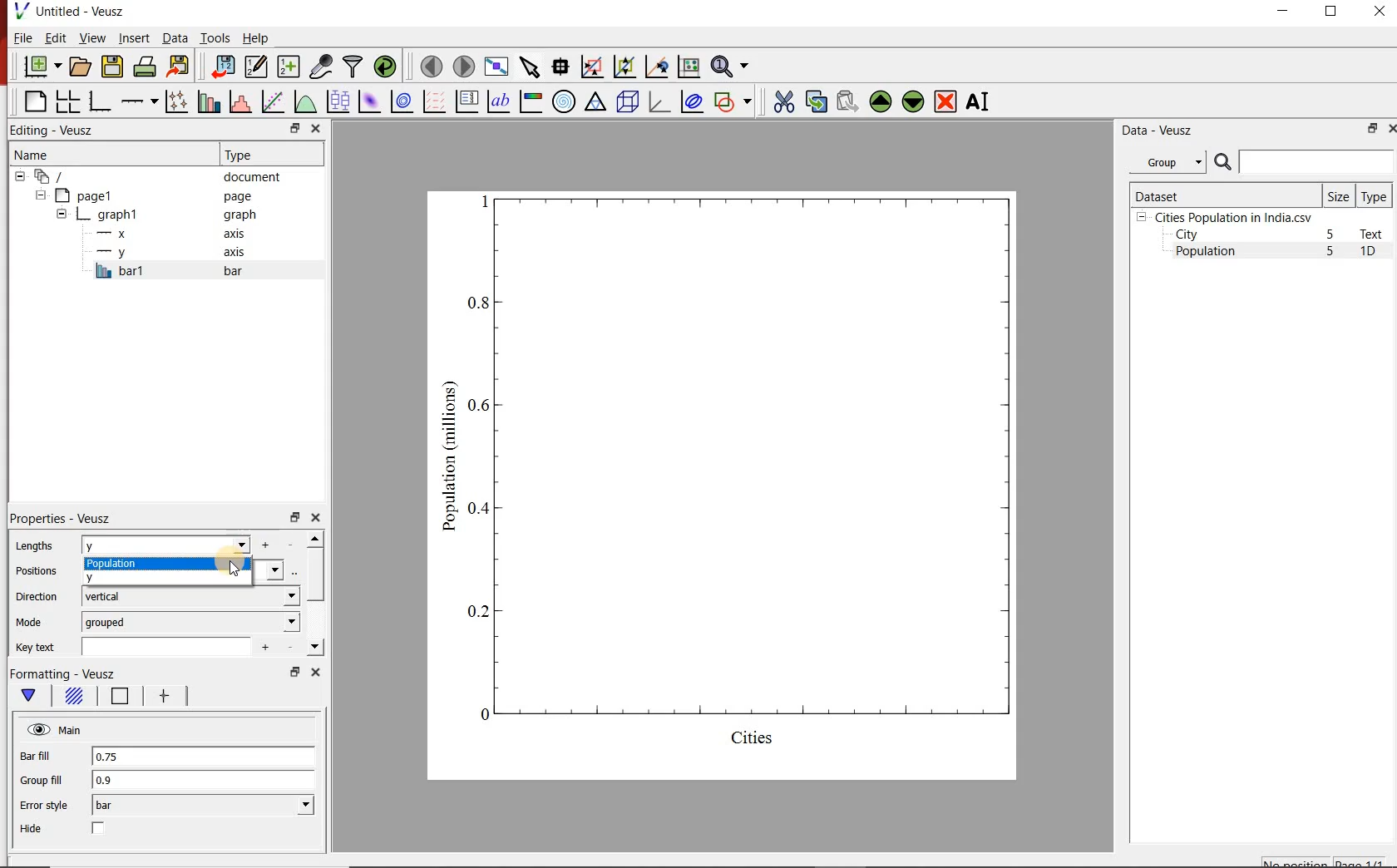 Image resolution: width=1397 pixels, height=868 pixels. I want to click on bar1, so click(186, 271).